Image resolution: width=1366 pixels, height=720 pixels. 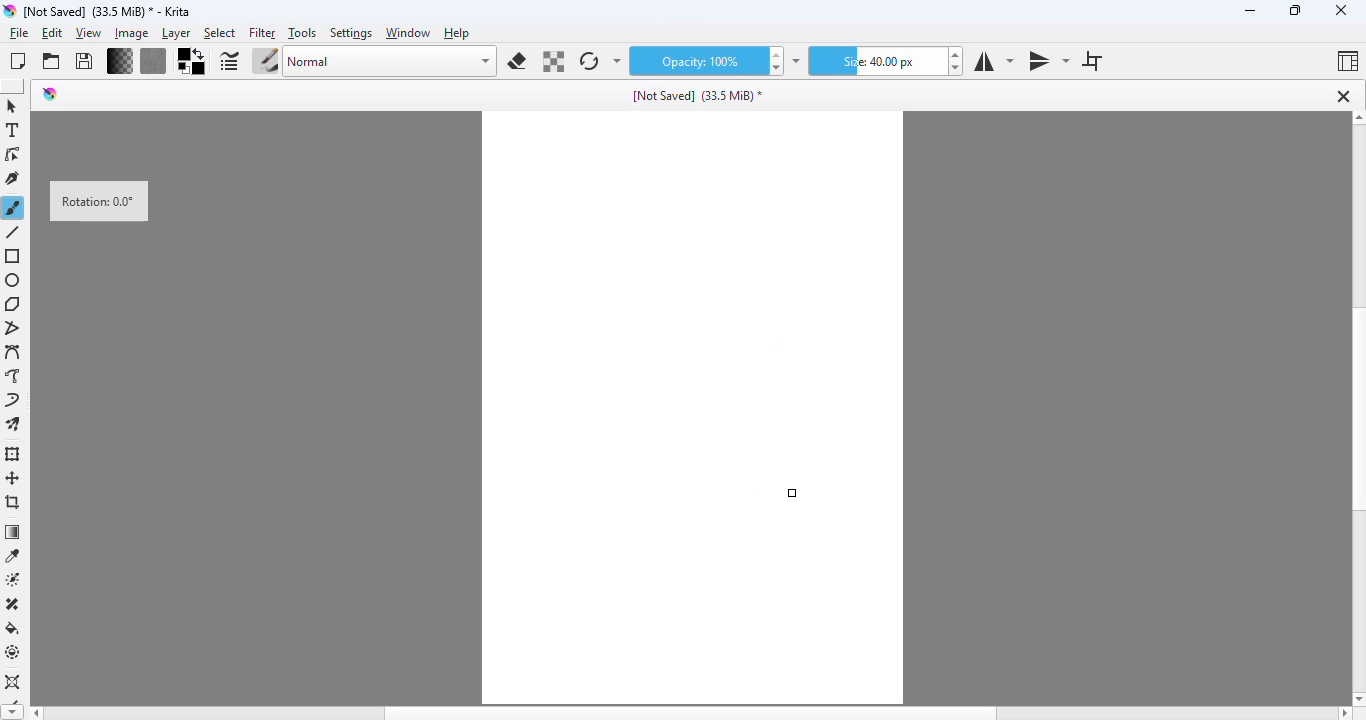 What do you see at coordinates (1348, 61) in the screenshot?
I see `choose workspace` at bounding box center [1348, 61].